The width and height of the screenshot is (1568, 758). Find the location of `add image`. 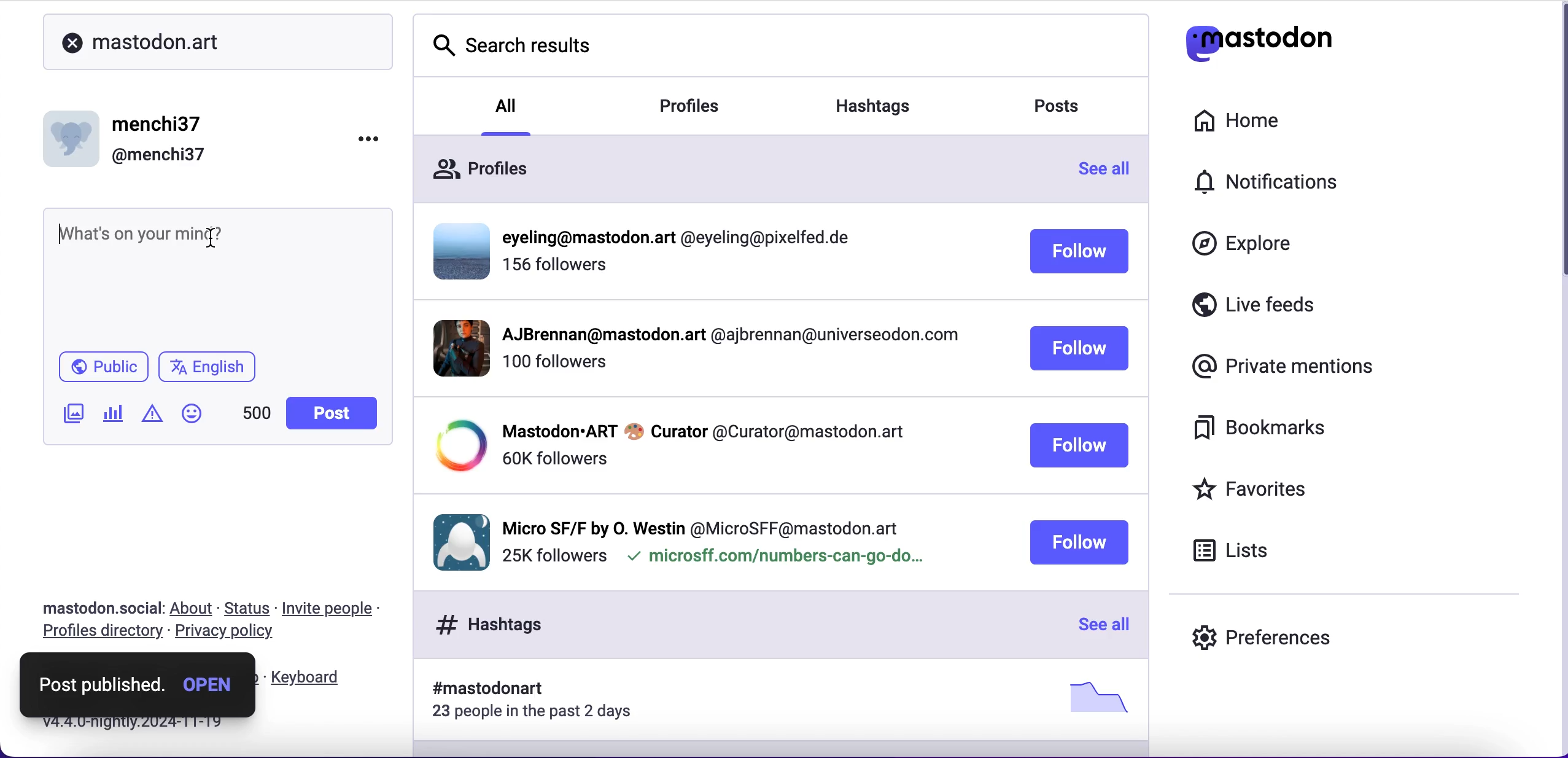

add image is located at coordinates (71, 414).